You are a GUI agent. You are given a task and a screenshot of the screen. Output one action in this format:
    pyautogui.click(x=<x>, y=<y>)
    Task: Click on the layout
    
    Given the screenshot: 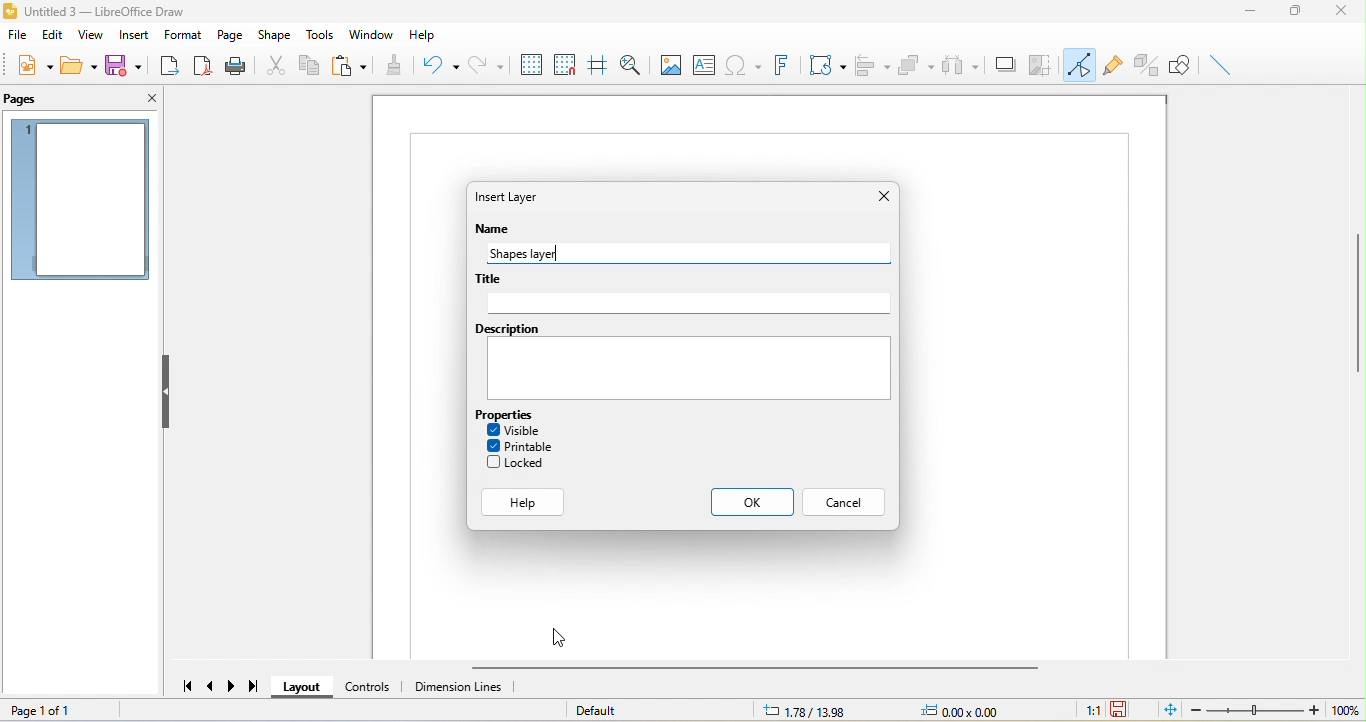 What is the action you would take?
    pyautogui.click(x=302, y=688)
    